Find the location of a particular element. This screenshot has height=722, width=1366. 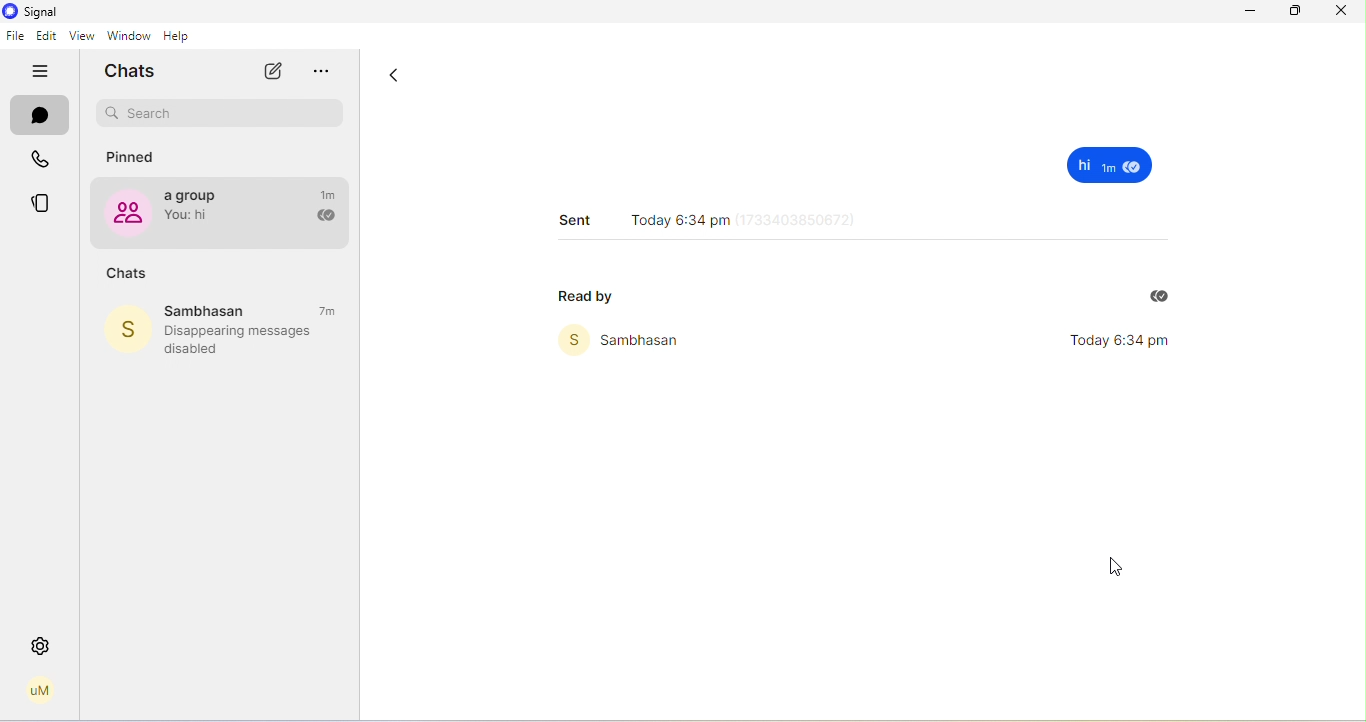

maximize is located at coordinates (1296, 11).